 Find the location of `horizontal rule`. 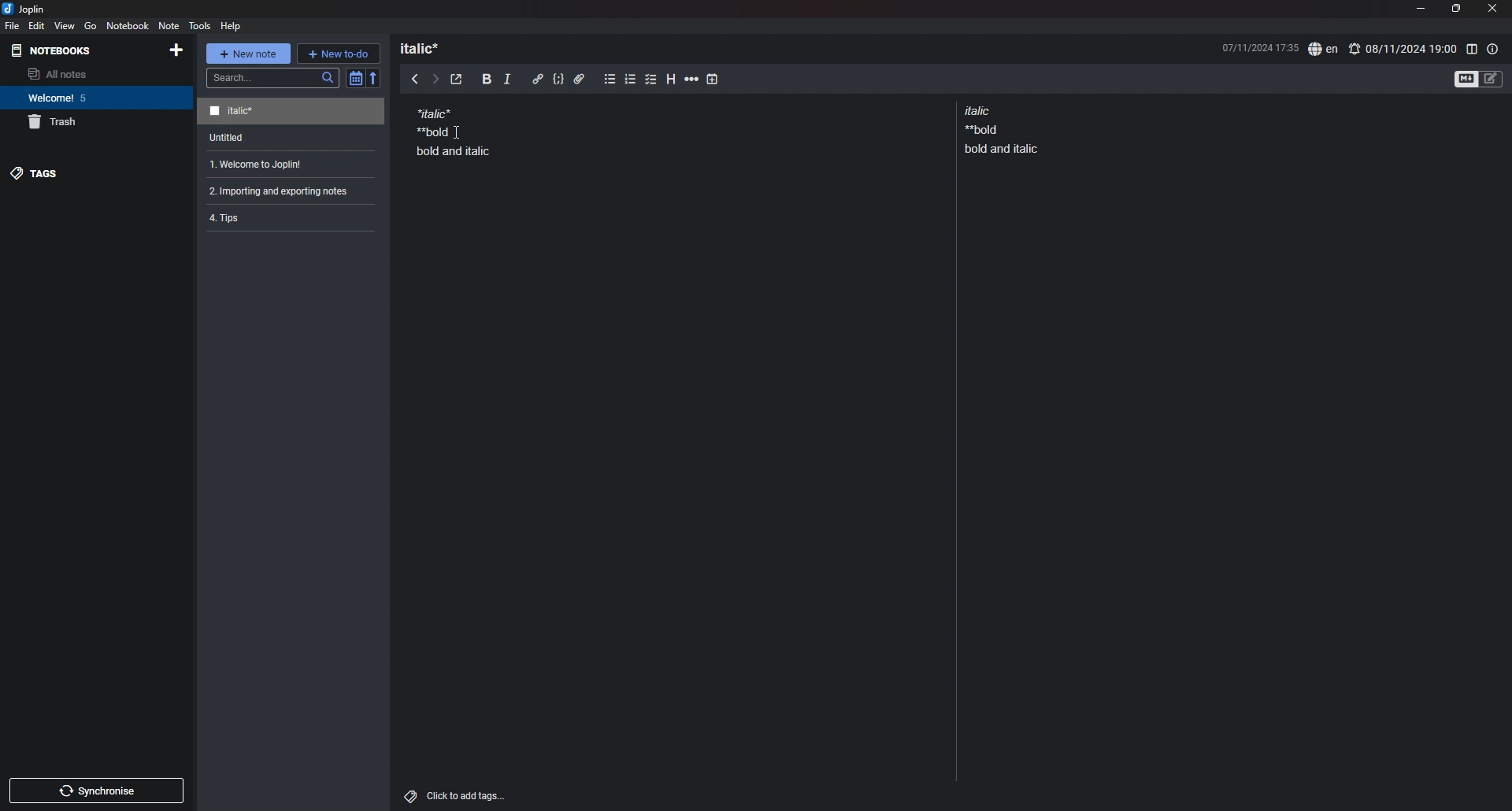

horizontal rule is located at coordinates (691, 81).